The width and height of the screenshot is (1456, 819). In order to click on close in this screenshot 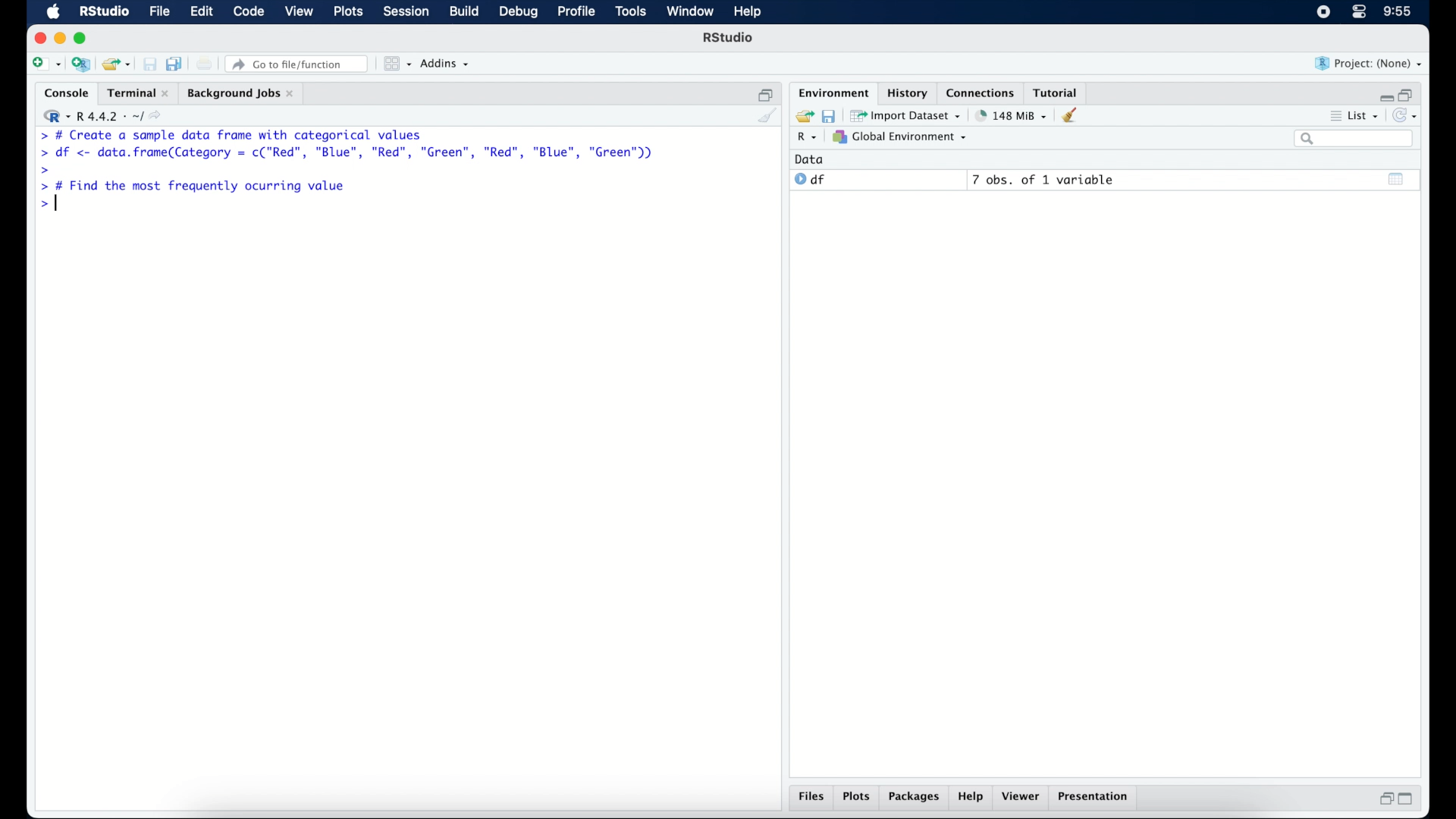, I will do `click(37, 37)`.